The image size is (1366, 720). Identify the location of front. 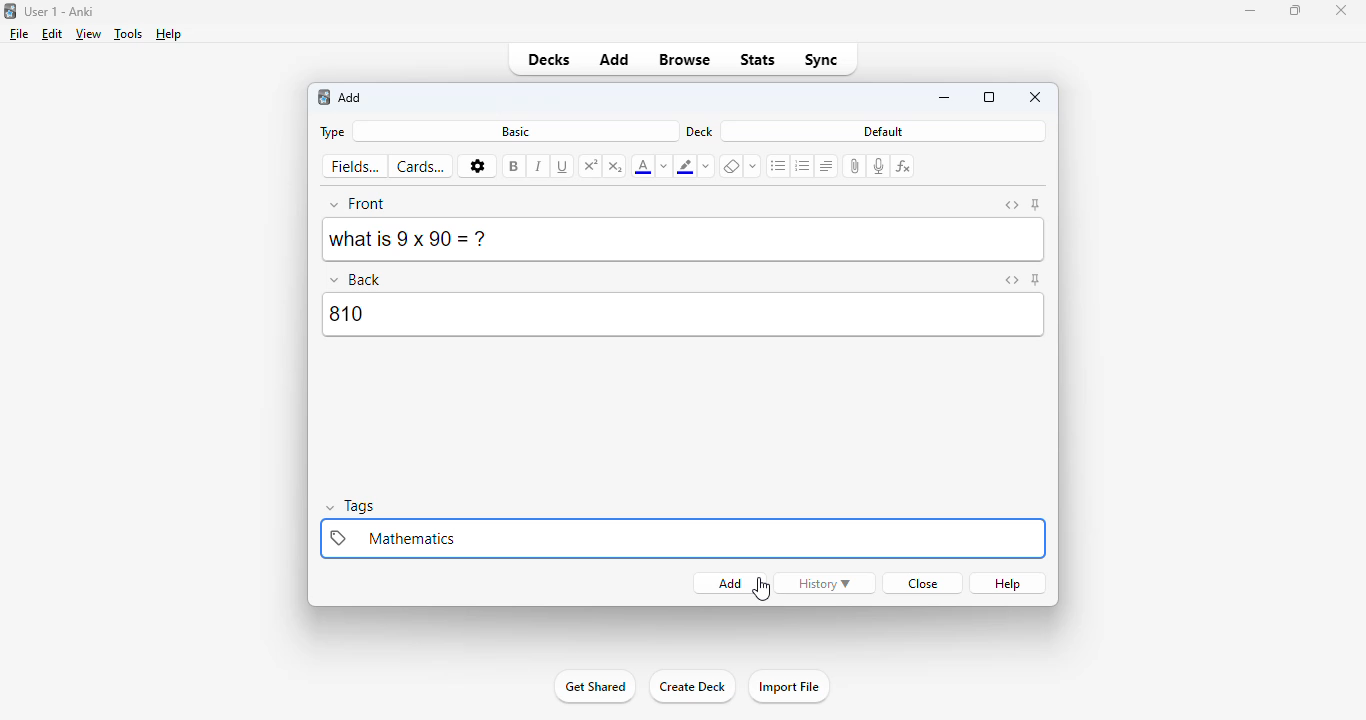
(359, 204).